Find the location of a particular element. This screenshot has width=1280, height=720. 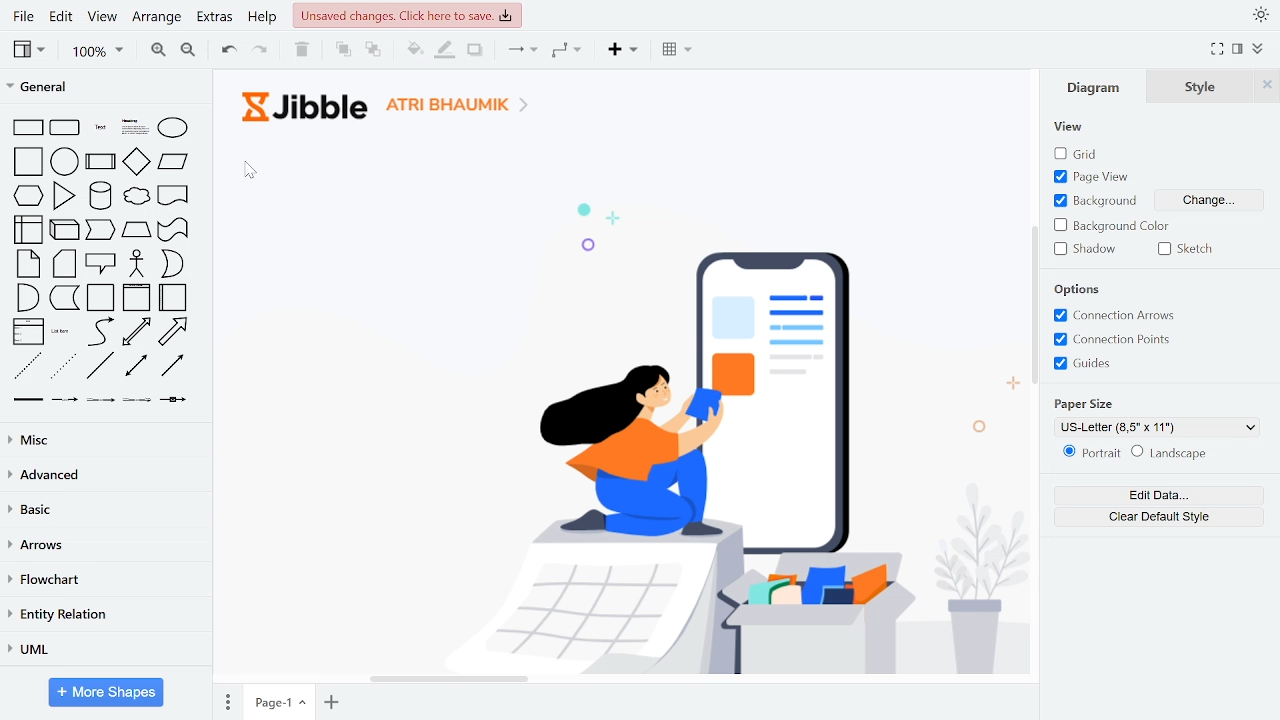

general shapes is located at coordinates (63, 263).